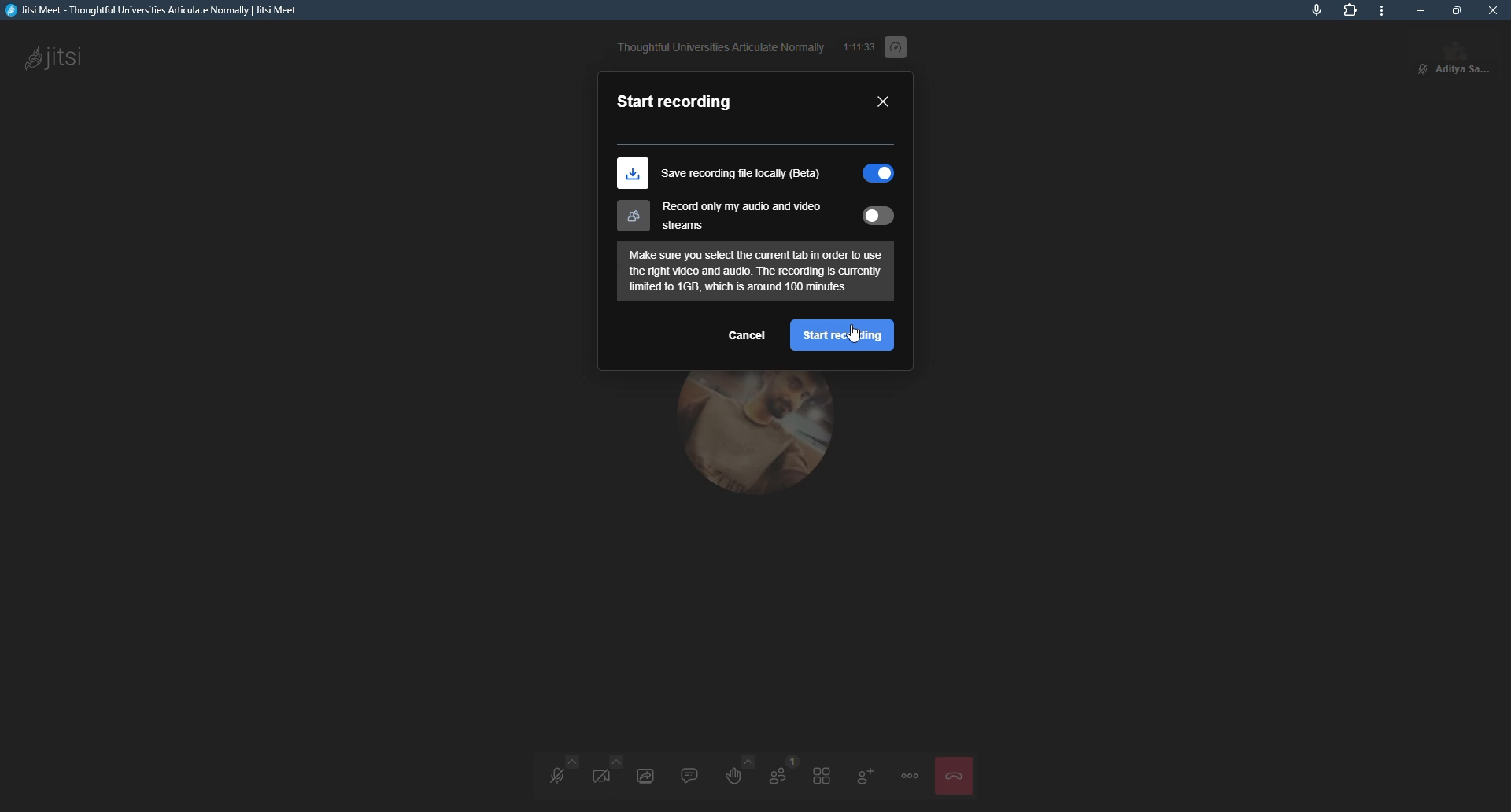  What do you see at coordinates (864, 776) in the screenshot?
I see `invite people` at bounding box center [864, 776].